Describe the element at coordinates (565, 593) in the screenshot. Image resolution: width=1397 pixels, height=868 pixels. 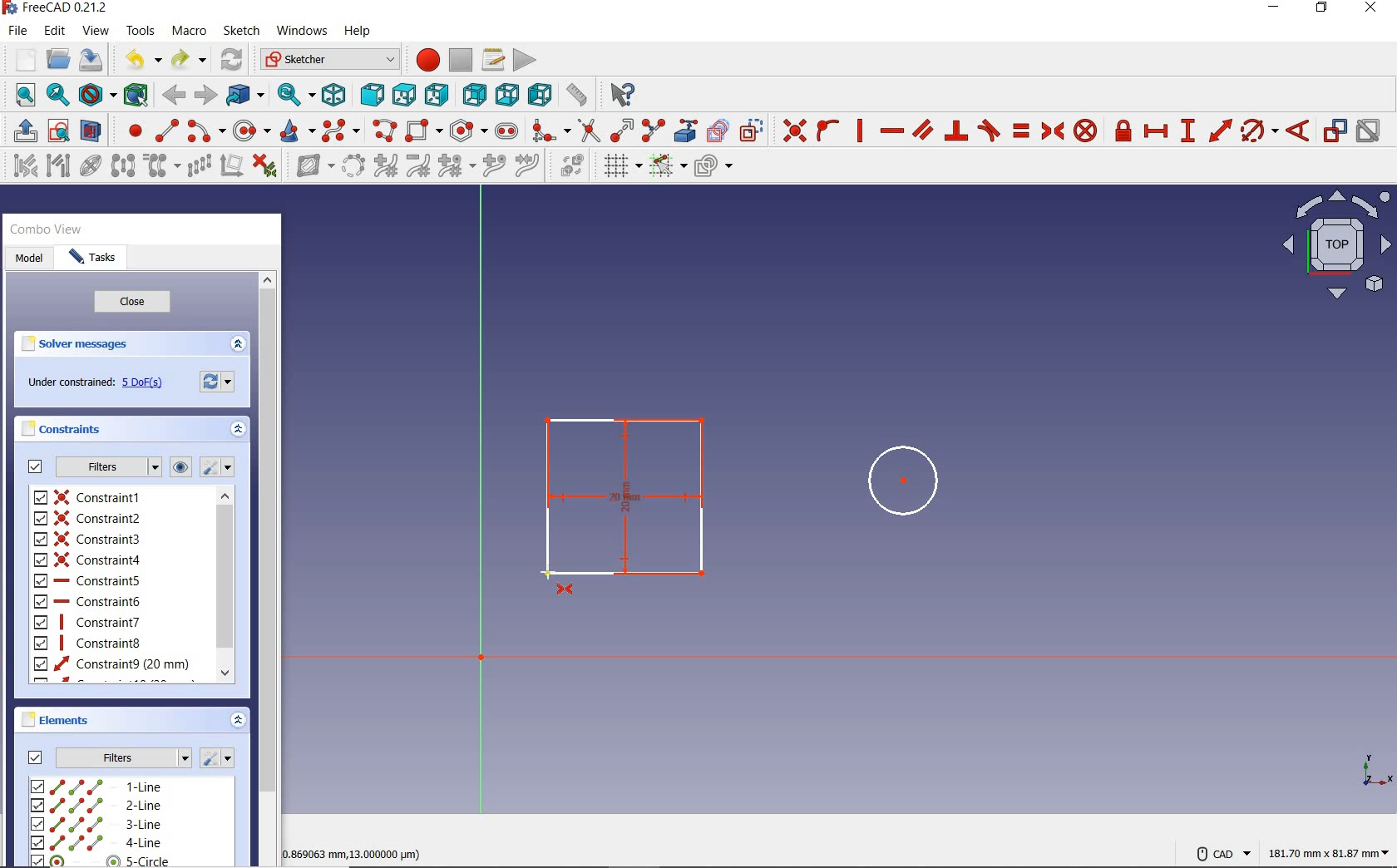
I see `constraint symmetrical tool` at that location.